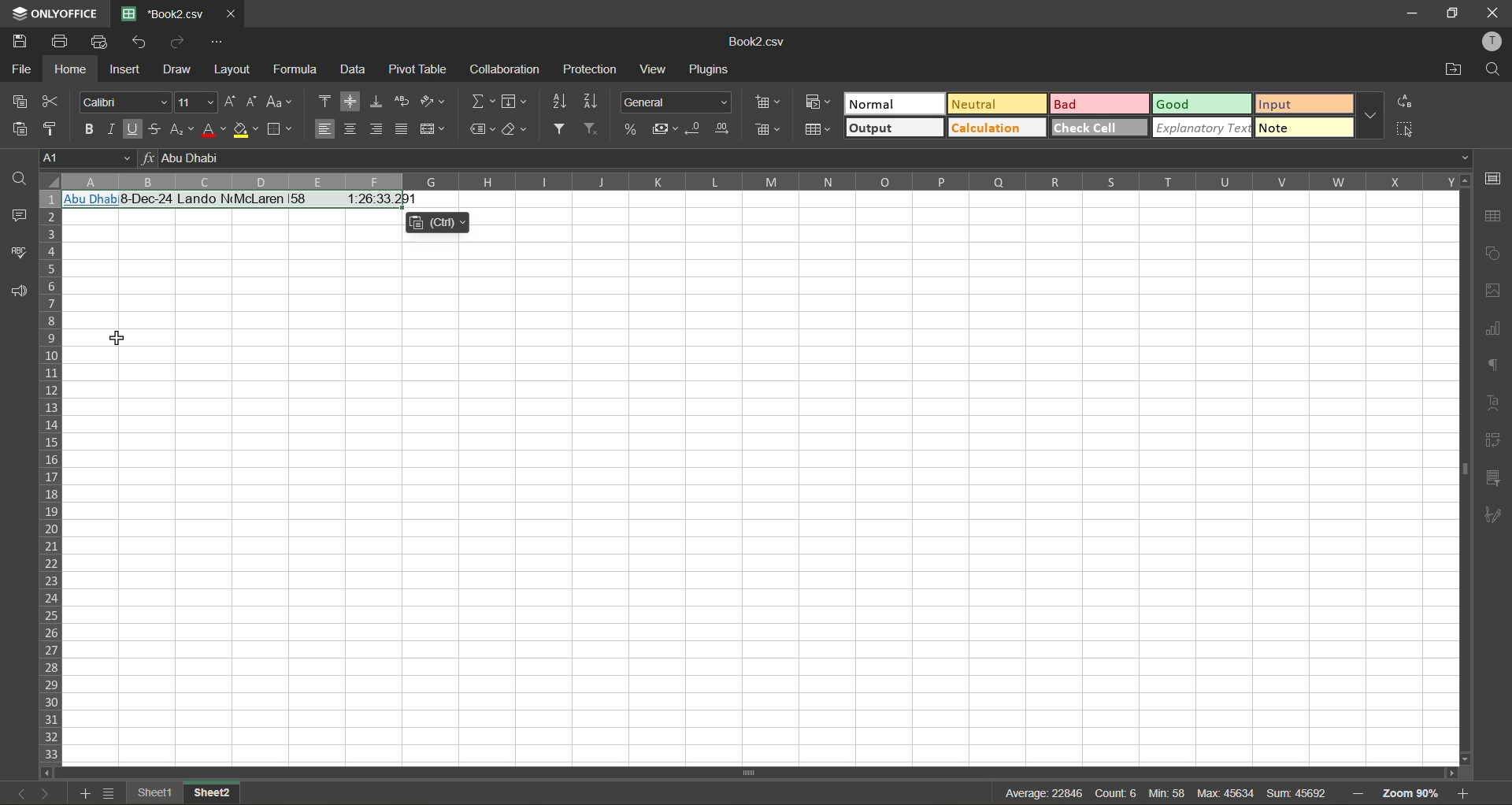 This screenshot has width=1512, height=805. I want to click on copy style, so click(55, 128).